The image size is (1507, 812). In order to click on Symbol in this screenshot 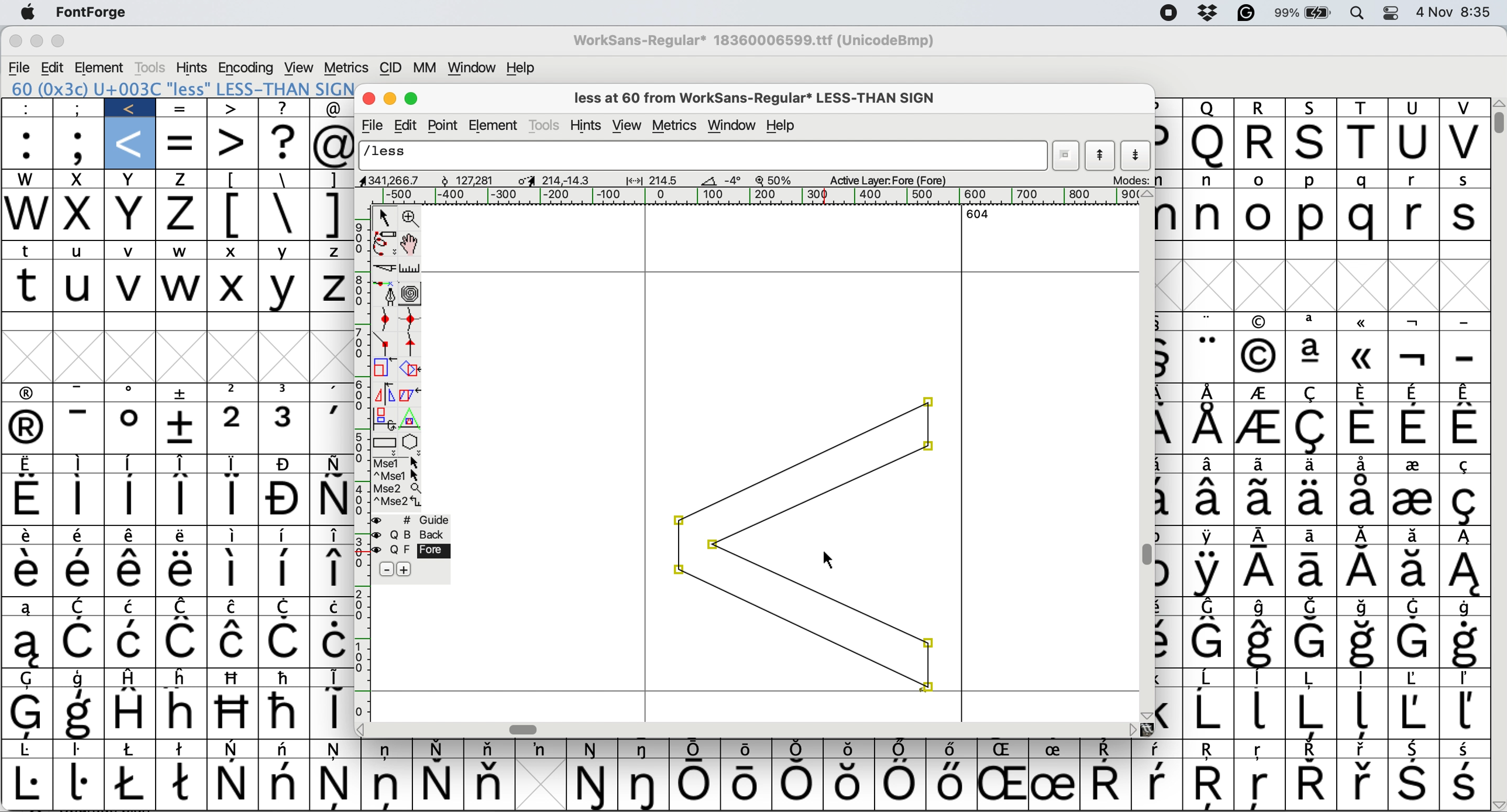, I will do `click(234, 642)`.